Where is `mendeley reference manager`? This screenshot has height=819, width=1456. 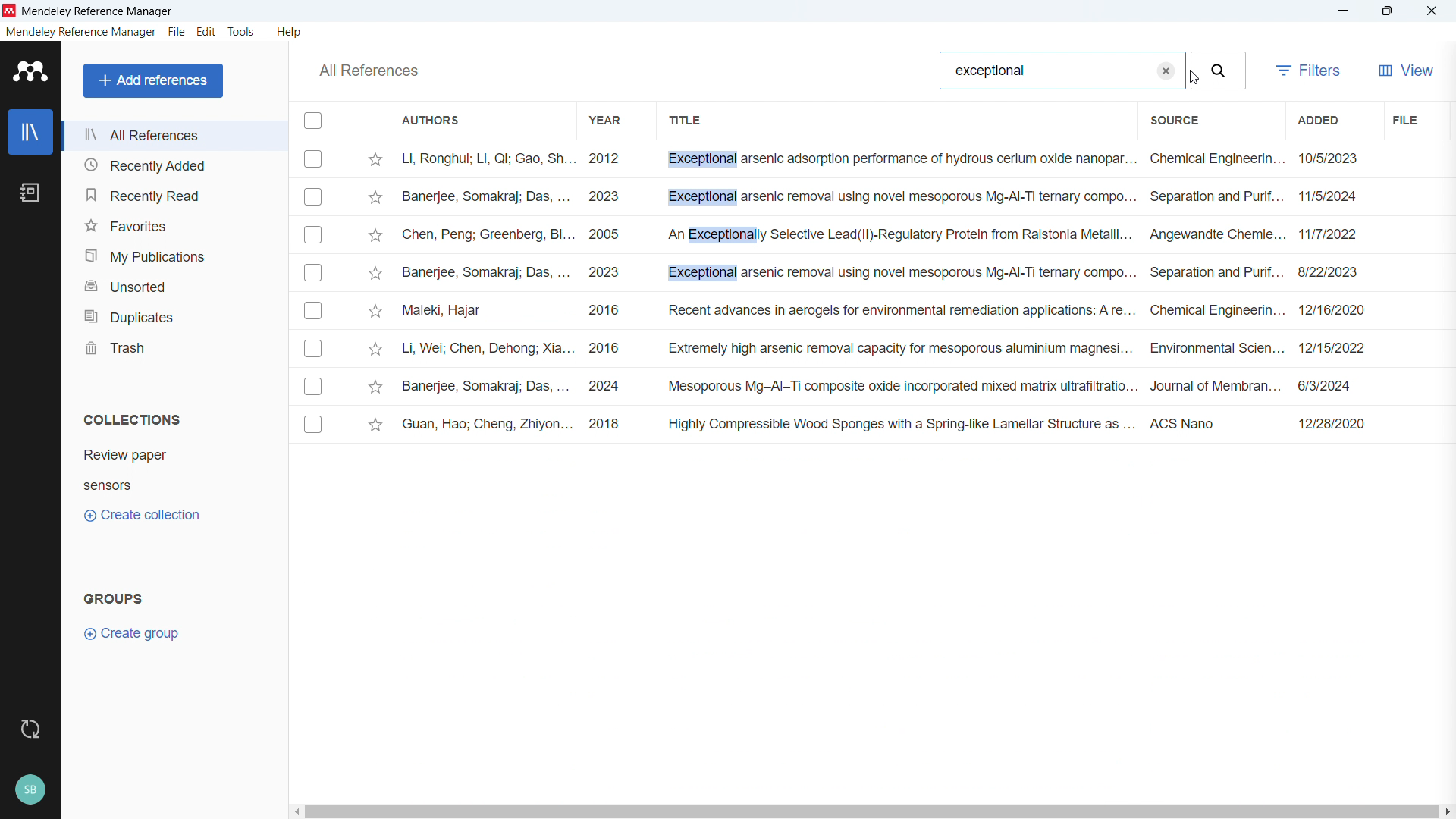
mendeley reference manager is located at coordinates (97, 11).